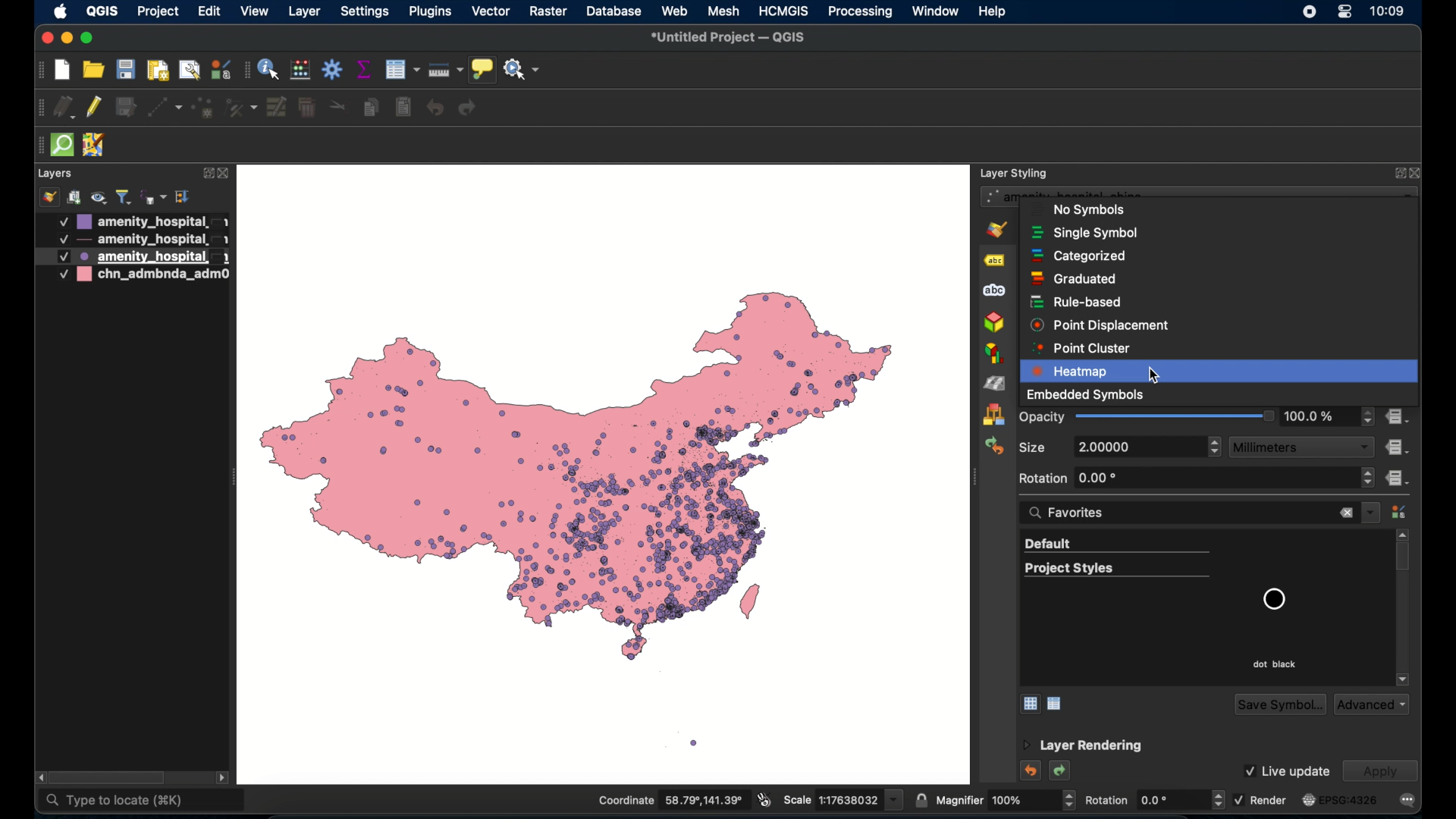  I want to click on size, so click(1033, 446).